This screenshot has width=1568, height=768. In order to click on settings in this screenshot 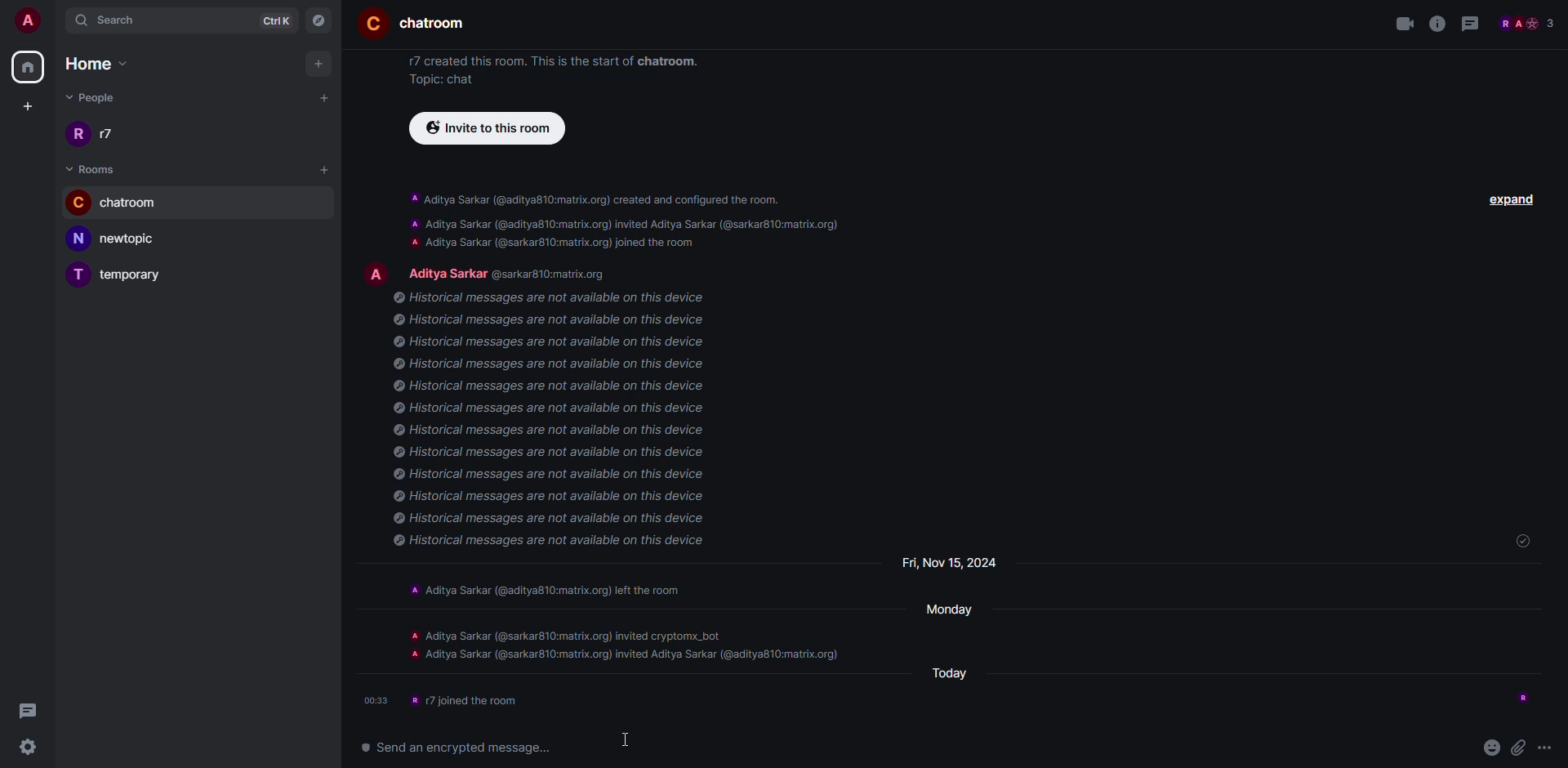, I will do `click(31, 747)`.